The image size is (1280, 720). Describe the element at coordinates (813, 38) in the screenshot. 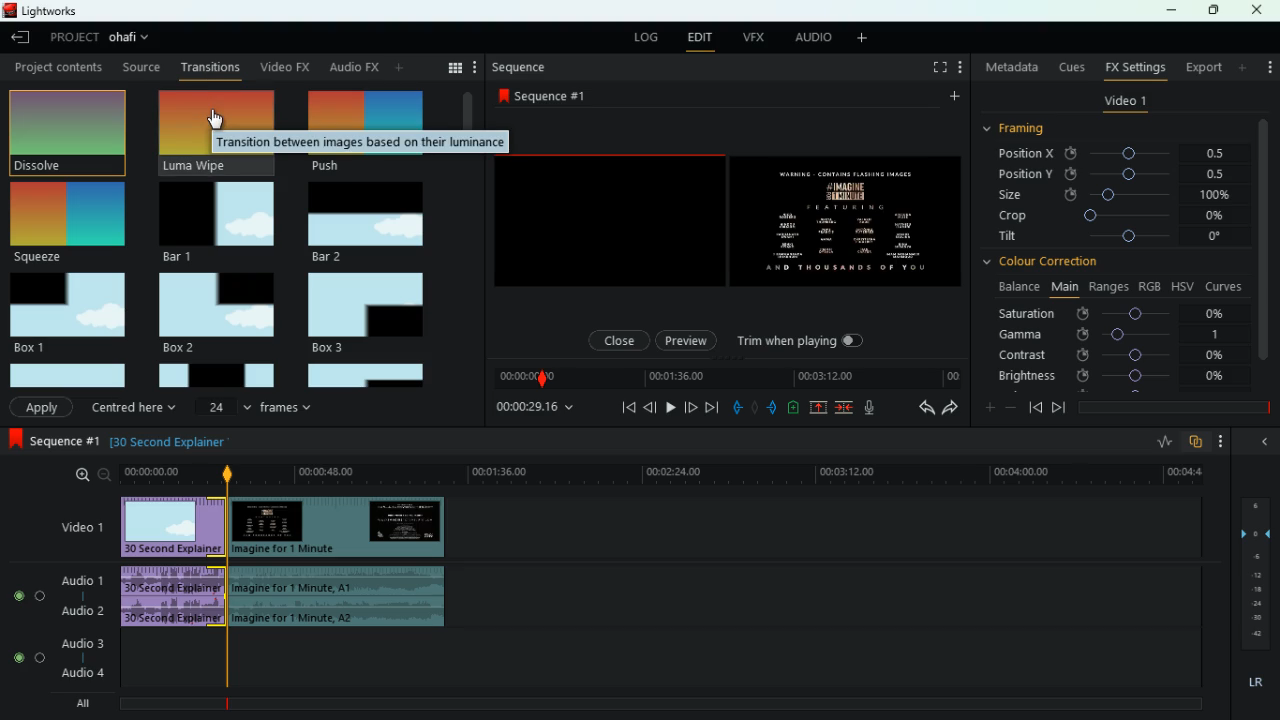

I see `audio` at that location.